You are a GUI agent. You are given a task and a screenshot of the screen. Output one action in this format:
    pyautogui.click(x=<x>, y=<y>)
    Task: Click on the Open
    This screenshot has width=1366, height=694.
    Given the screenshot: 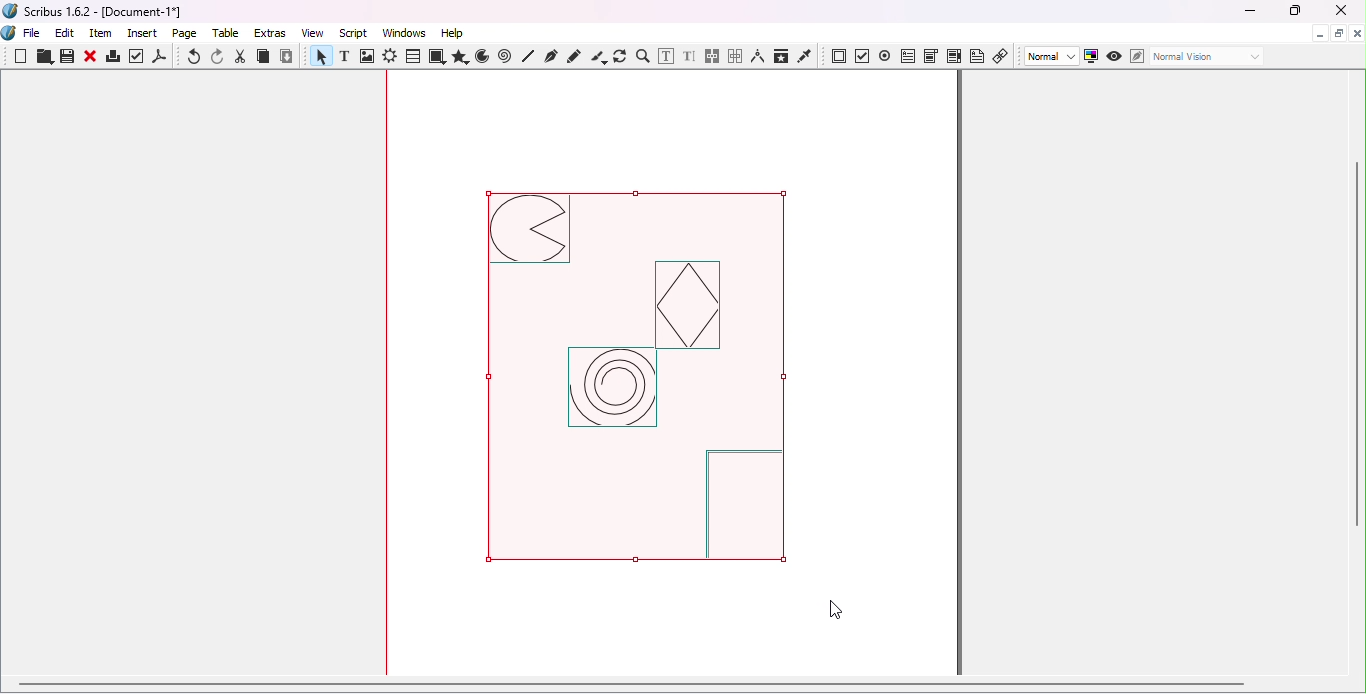 What is the action you would take?
    pyautogui.click(x=42, y=58)
    